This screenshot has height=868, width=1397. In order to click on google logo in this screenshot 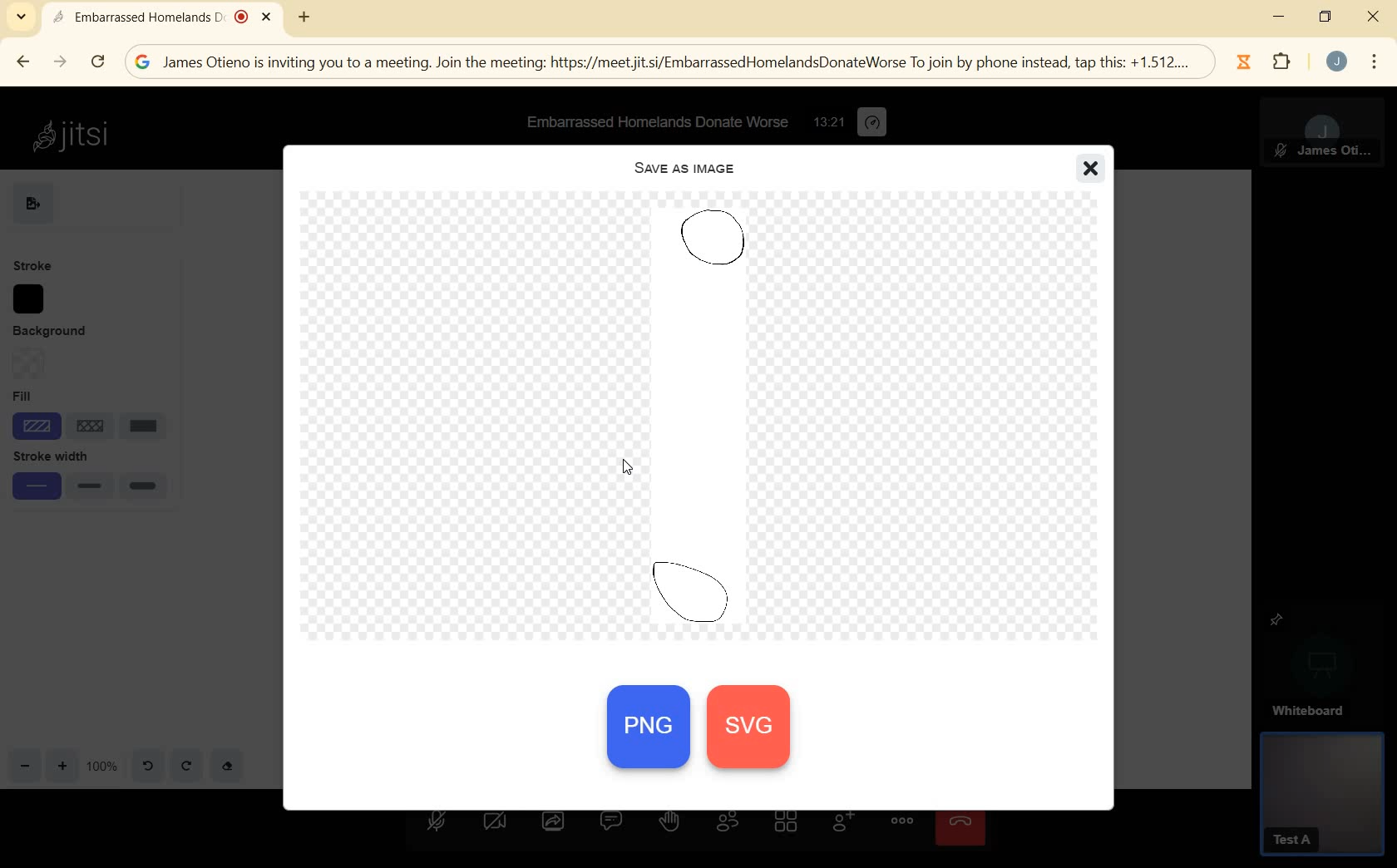, I will do `click(143, 62)`.